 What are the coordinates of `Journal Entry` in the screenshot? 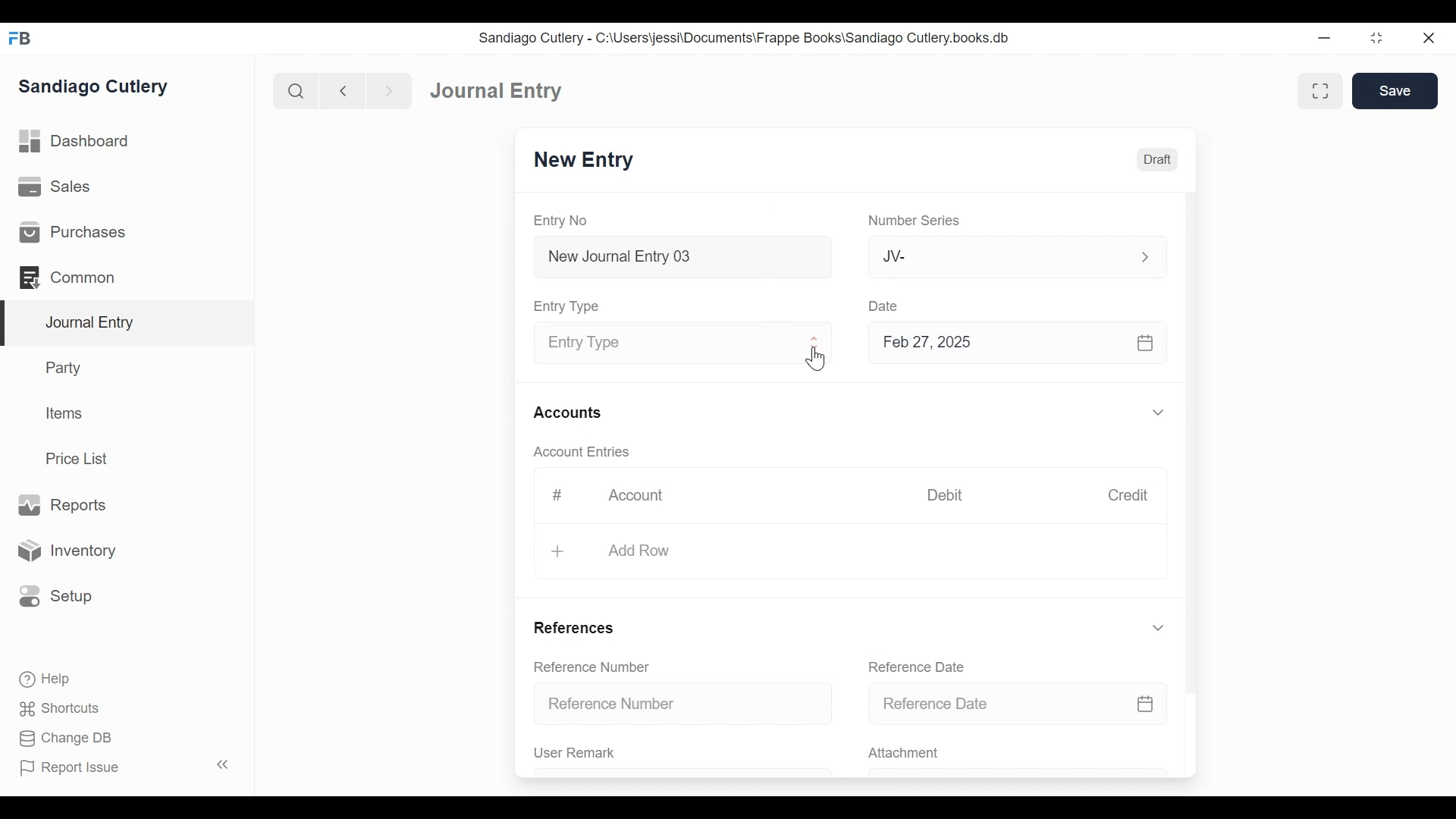 It's located at (124, 324).